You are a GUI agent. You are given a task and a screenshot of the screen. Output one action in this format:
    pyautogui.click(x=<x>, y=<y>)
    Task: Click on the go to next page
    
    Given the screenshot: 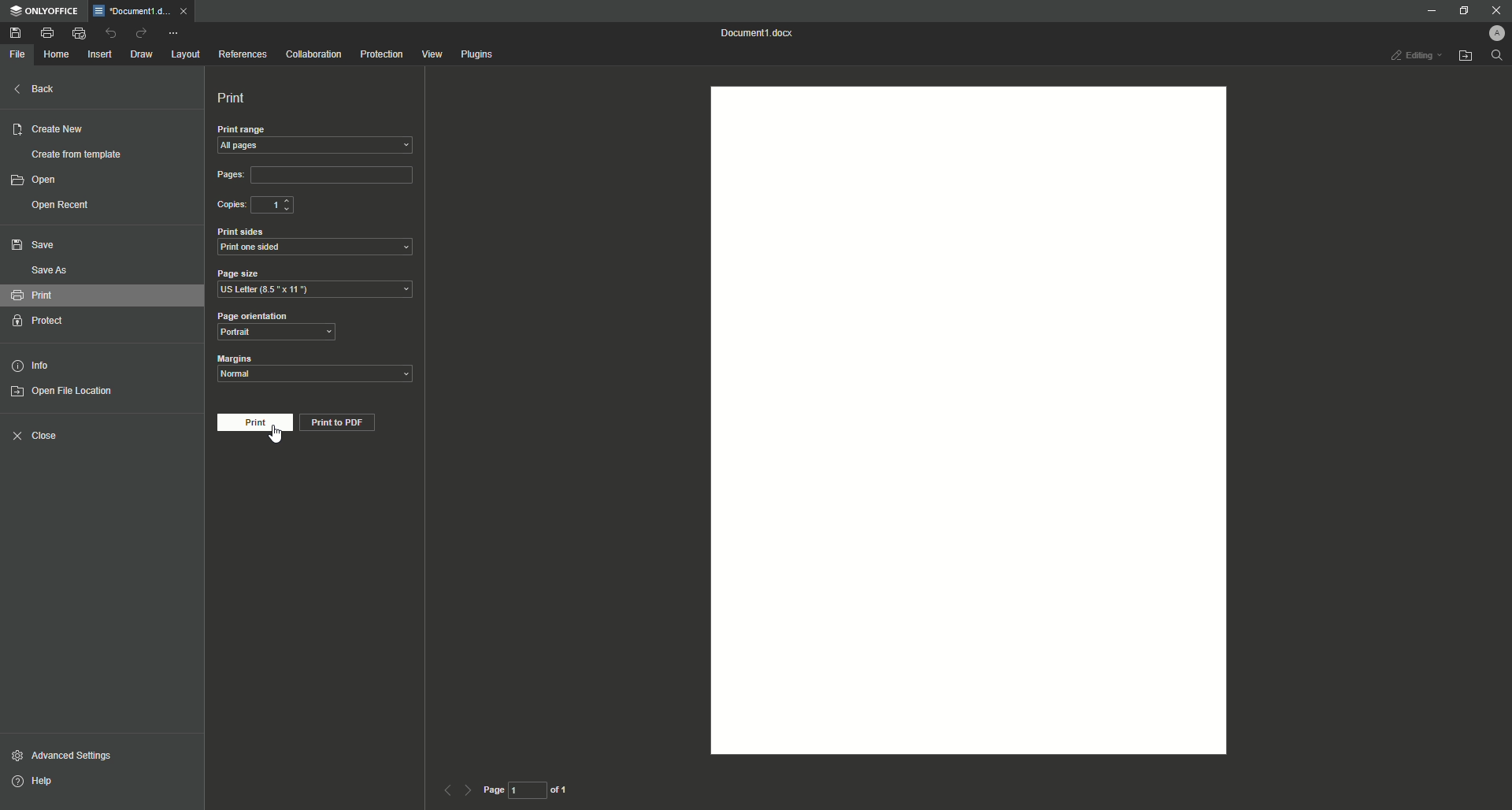 What is the action you would take?
    pyautogui.click(x=470, y=790)
    